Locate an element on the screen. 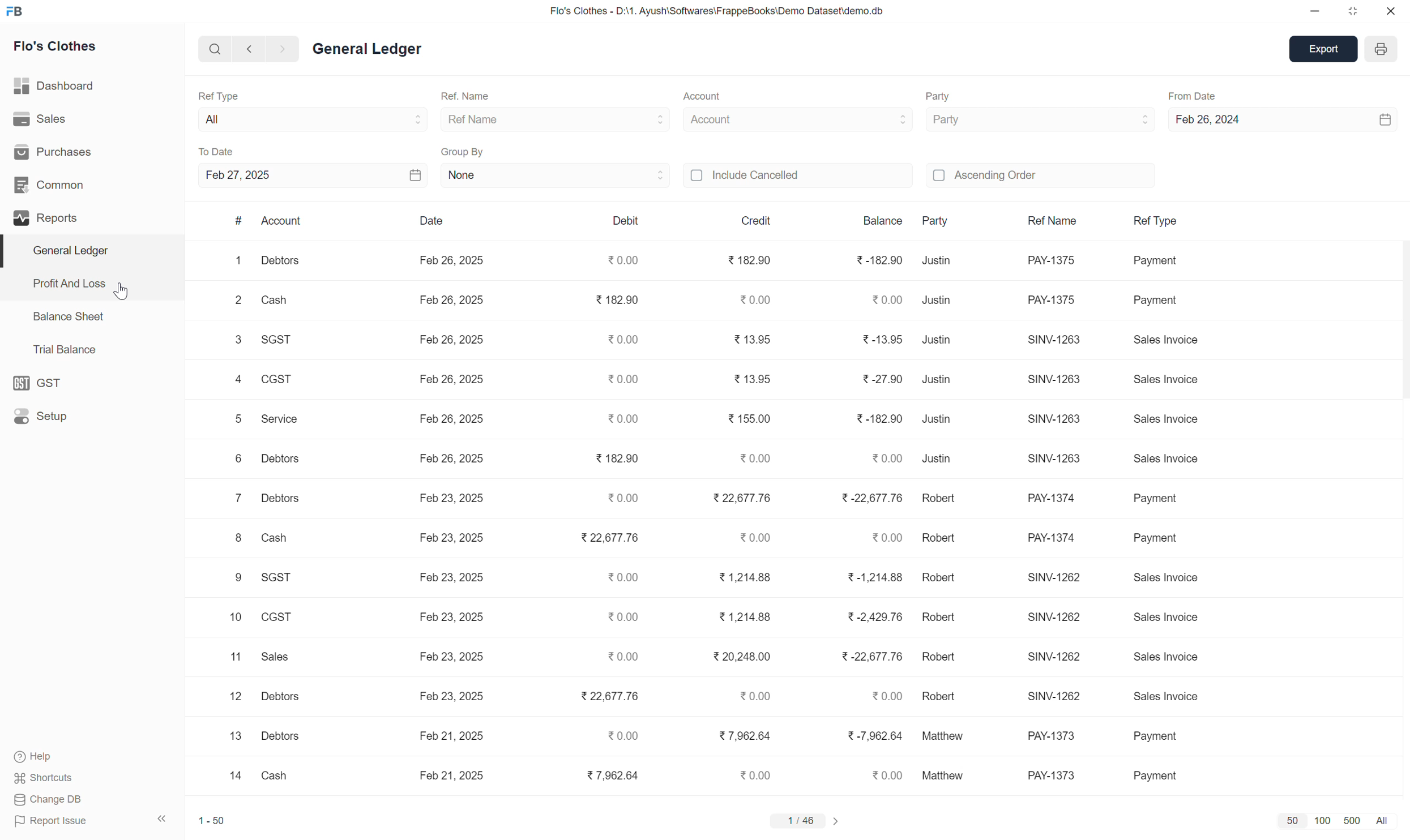 This screenshot has height=840, width=1410. ₹-1,214.88 is located at coordinates (870, 577).